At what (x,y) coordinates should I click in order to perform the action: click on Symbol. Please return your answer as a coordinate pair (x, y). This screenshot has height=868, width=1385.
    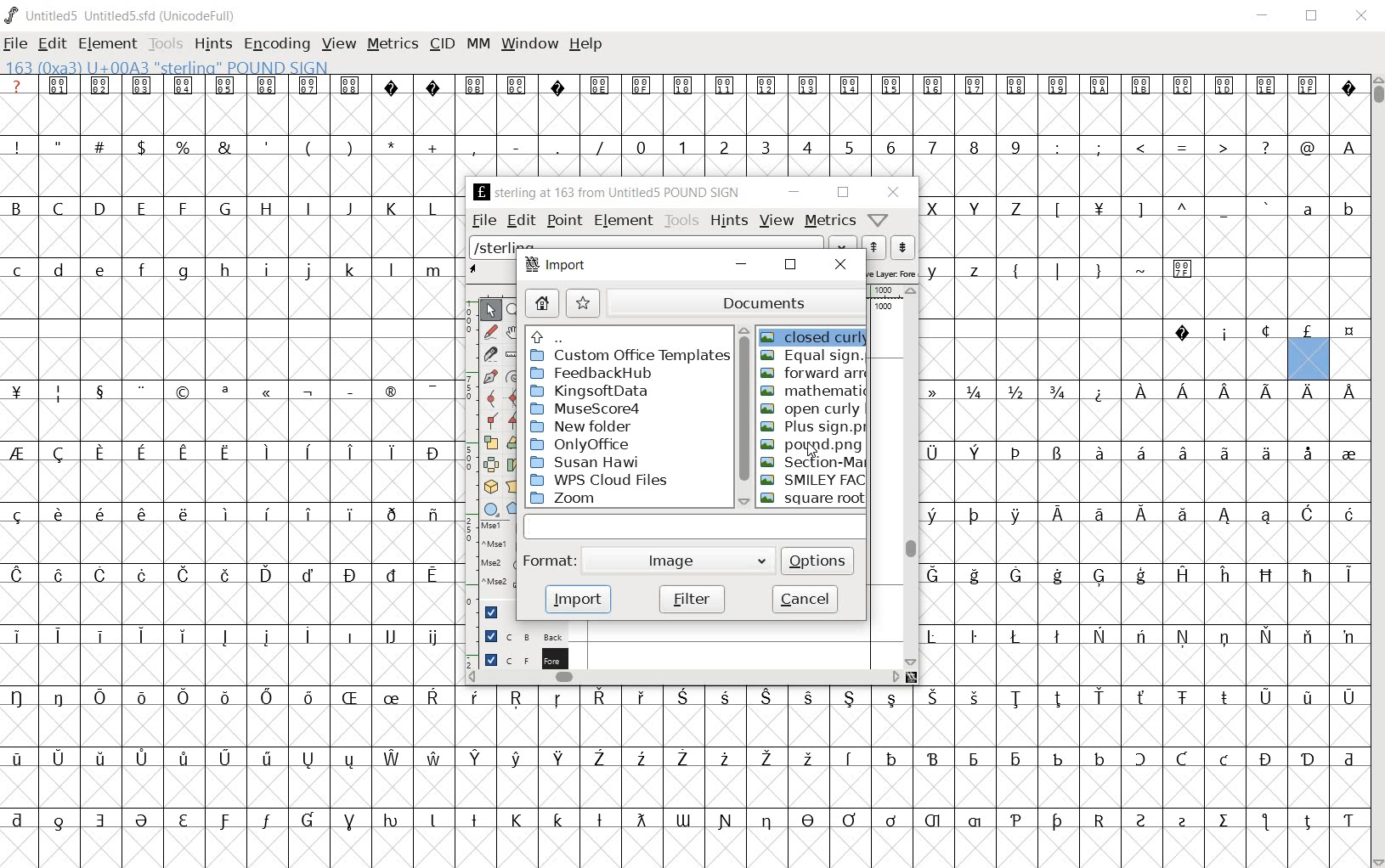
    Looking at the image, I should click on (937, 516).